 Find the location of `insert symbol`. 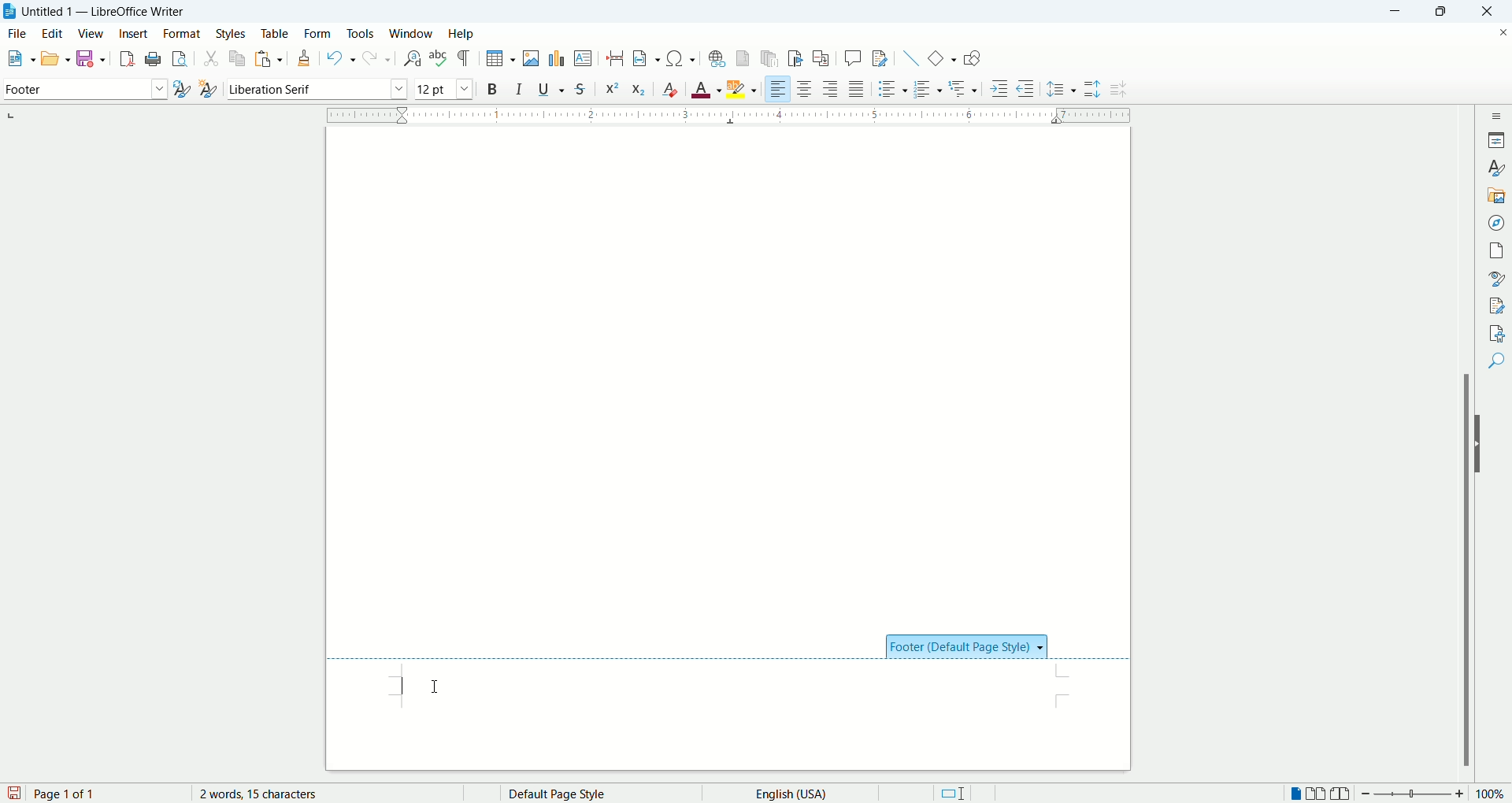

insert symbol is located at coordinates (681, 57).